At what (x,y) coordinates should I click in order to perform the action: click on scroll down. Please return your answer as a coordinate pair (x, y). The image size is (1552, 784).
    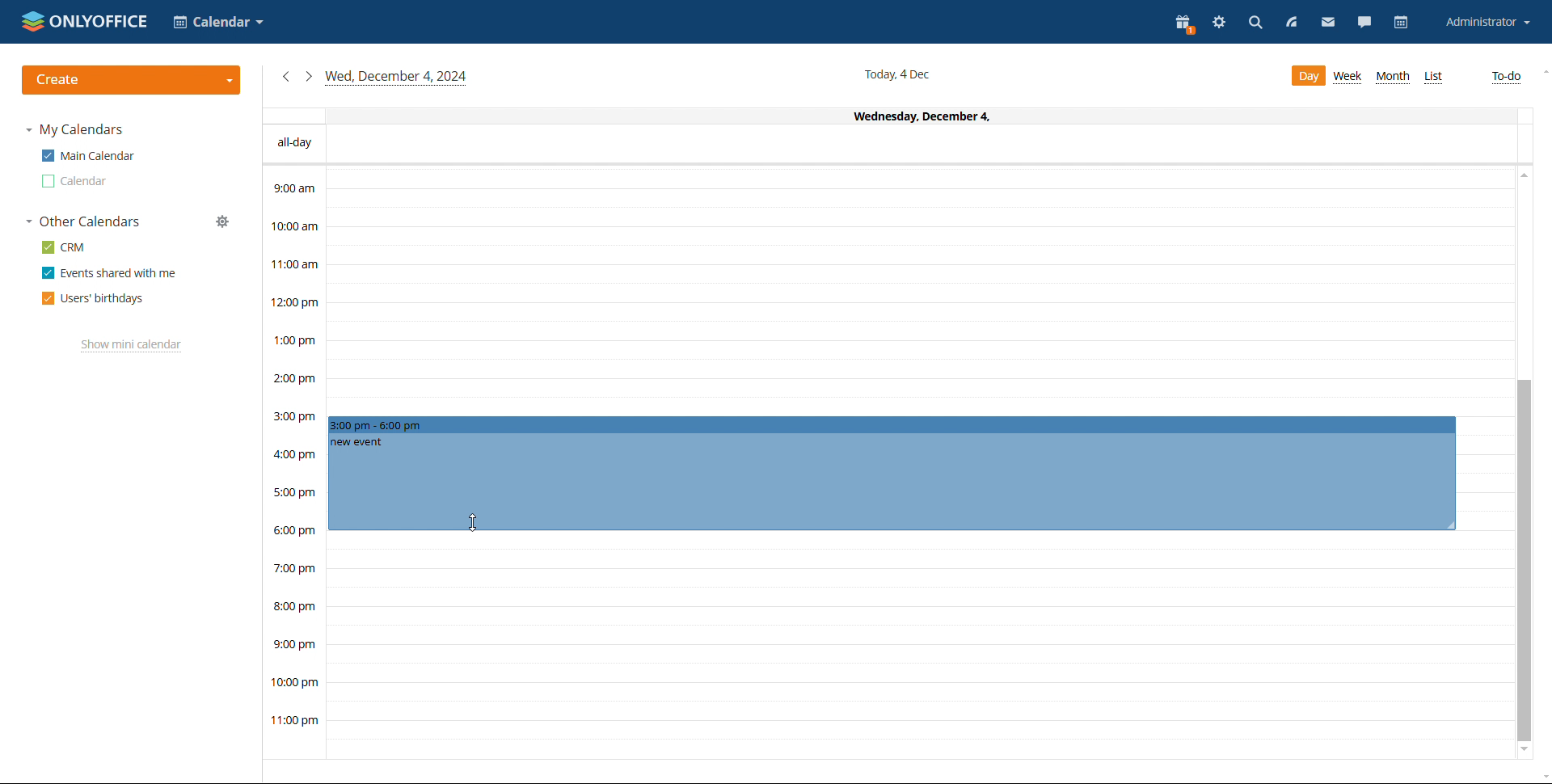
    Looking at the image, I should click on (1542, 775).